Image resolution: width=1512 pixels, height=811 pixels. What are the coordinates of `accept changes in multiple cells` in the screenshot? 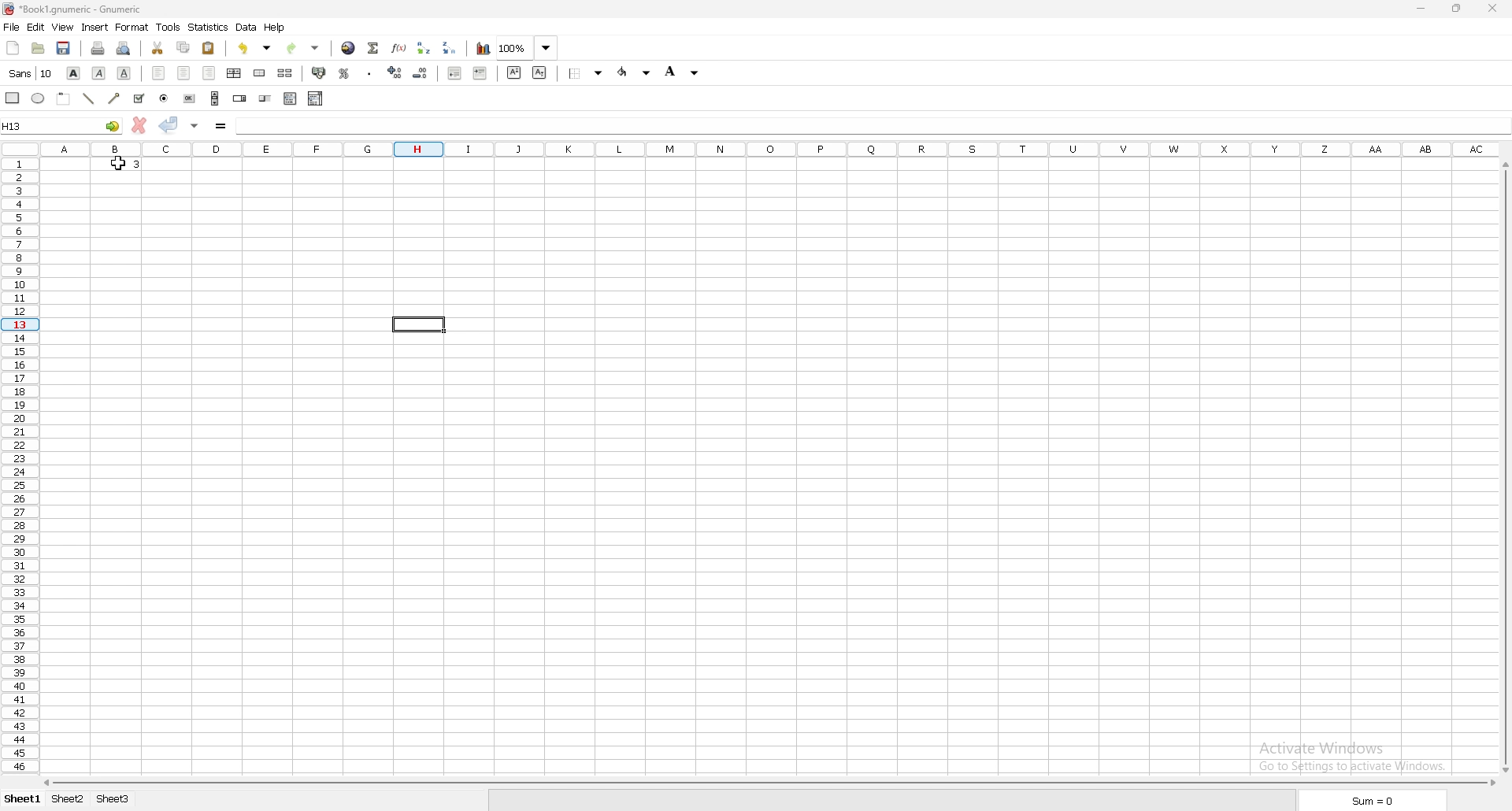 It's located at (195, 126).